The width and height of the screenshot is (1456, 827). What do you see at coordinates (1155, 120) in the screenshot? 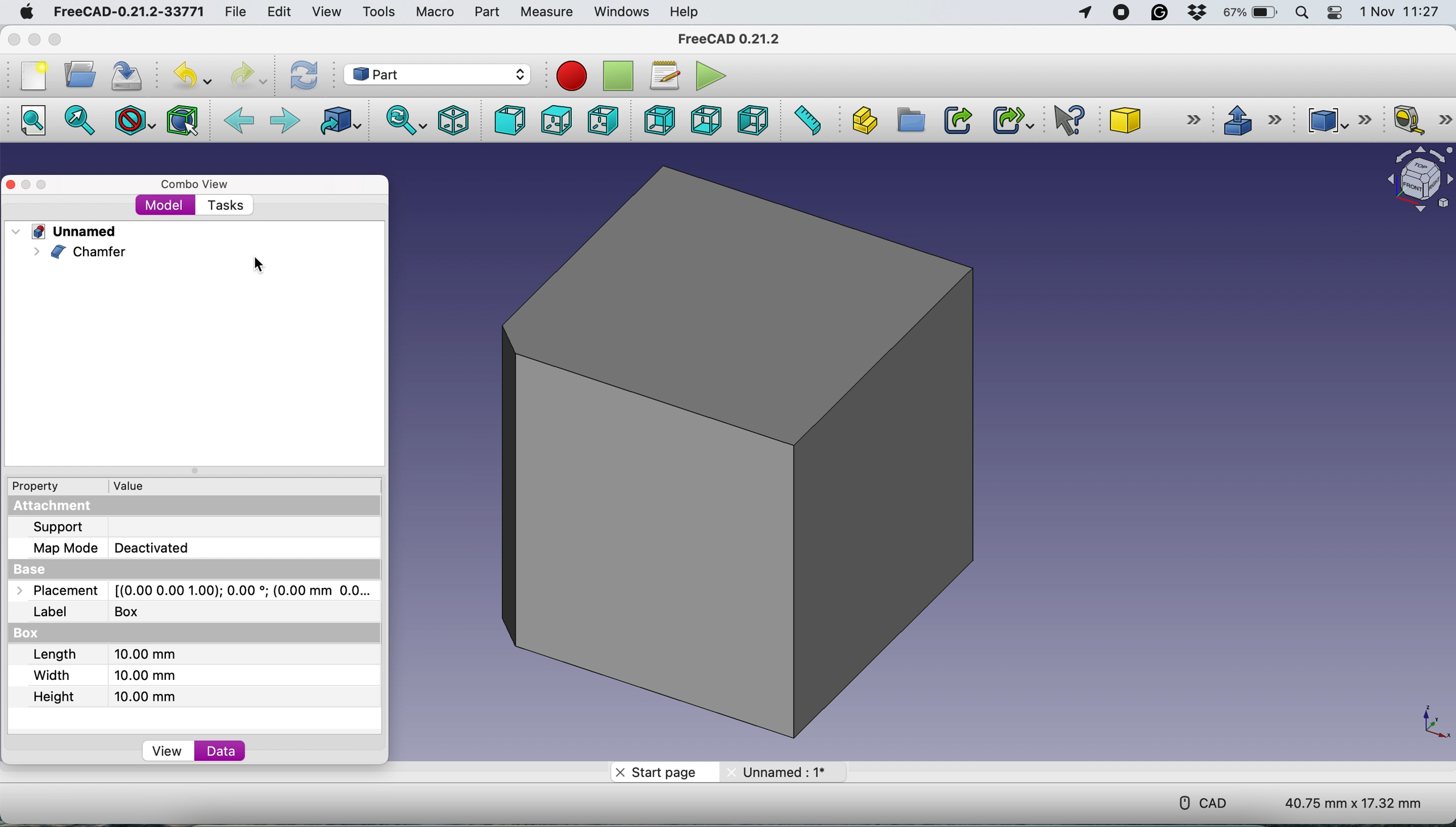
I see `sube` at bounding box center [1155, 120].